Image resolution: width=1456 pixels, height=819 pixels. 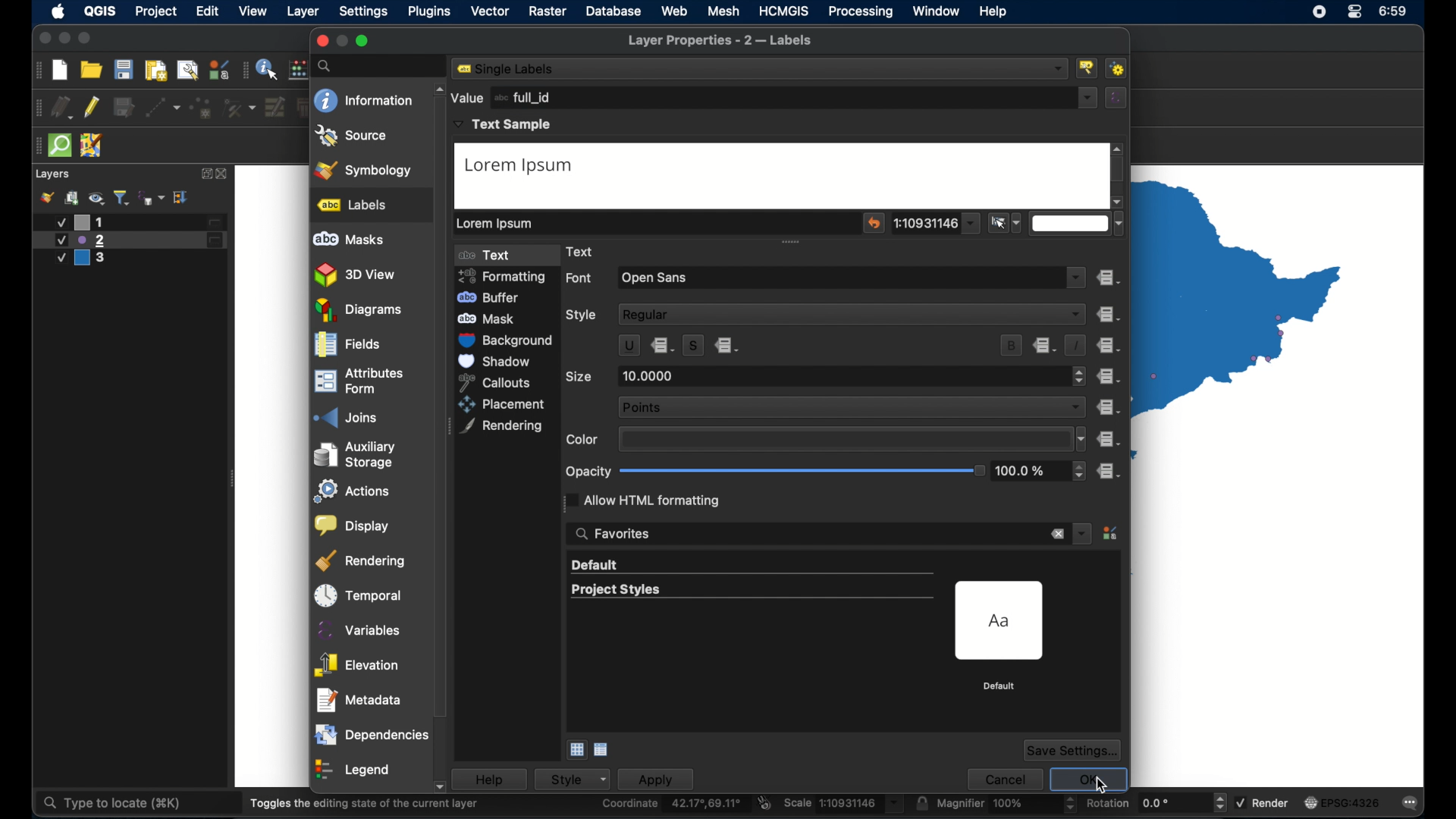 I want to click on drag handle, so click(x=36, y=70).